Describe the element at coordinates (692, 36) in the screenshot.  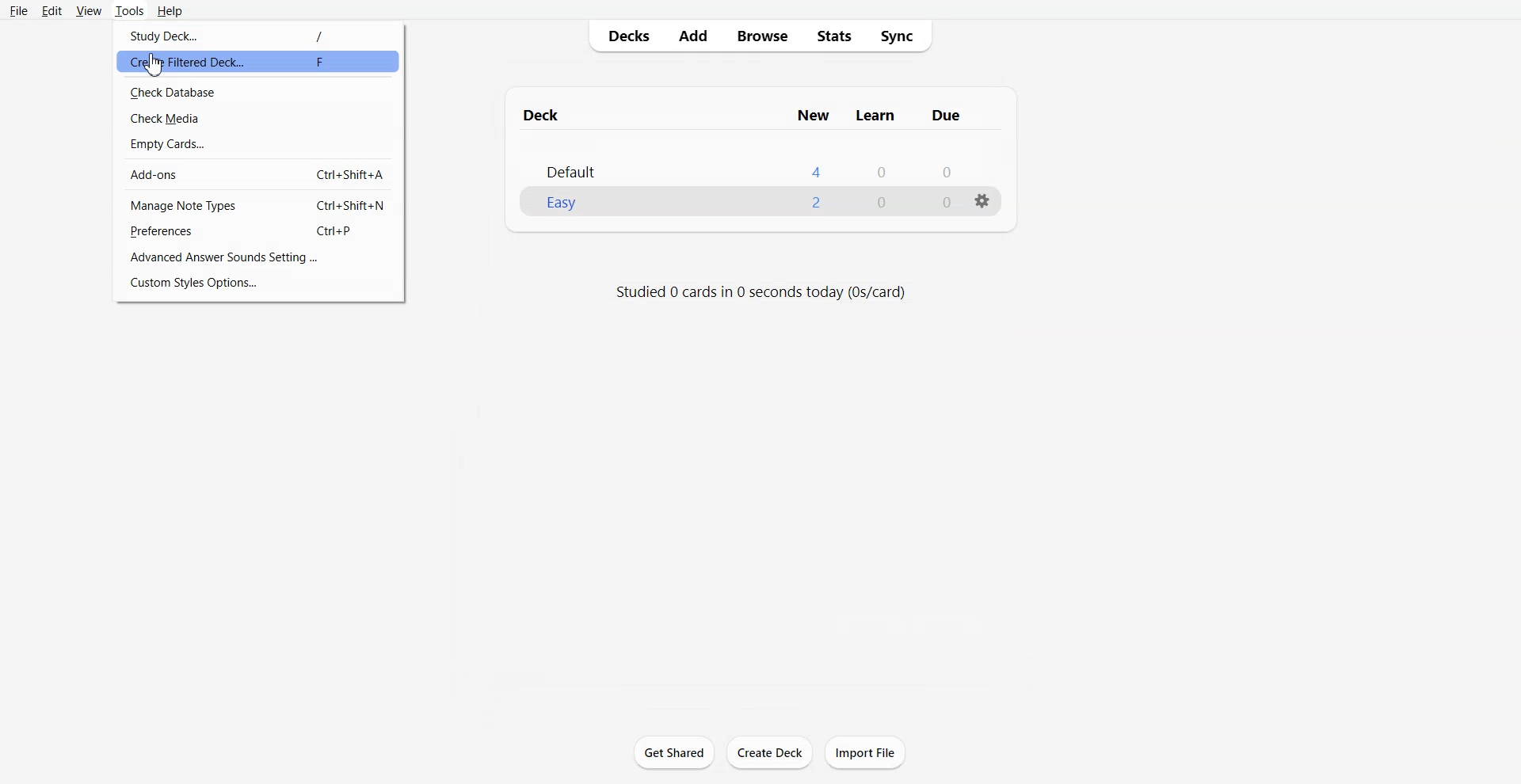
I see `Add` at that location.